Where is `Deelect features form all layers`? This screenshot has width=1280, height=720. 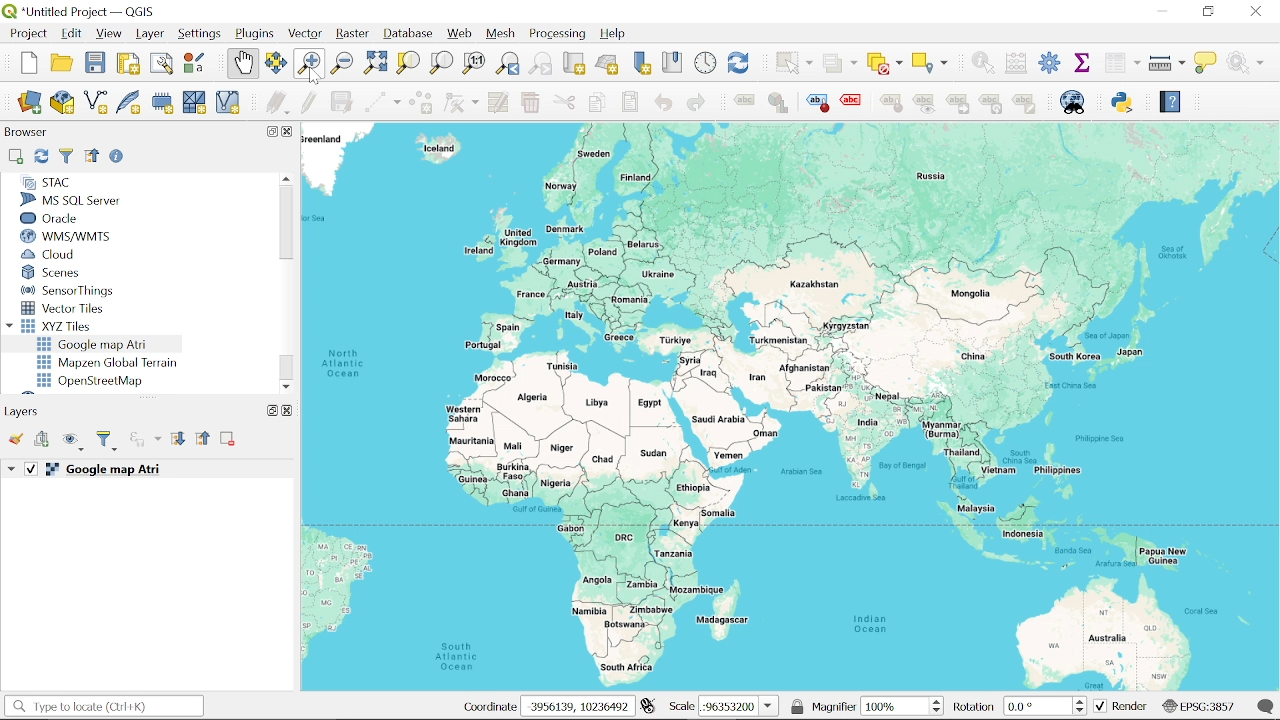 Deelect features form all layers is located at coordinates (885, 64).